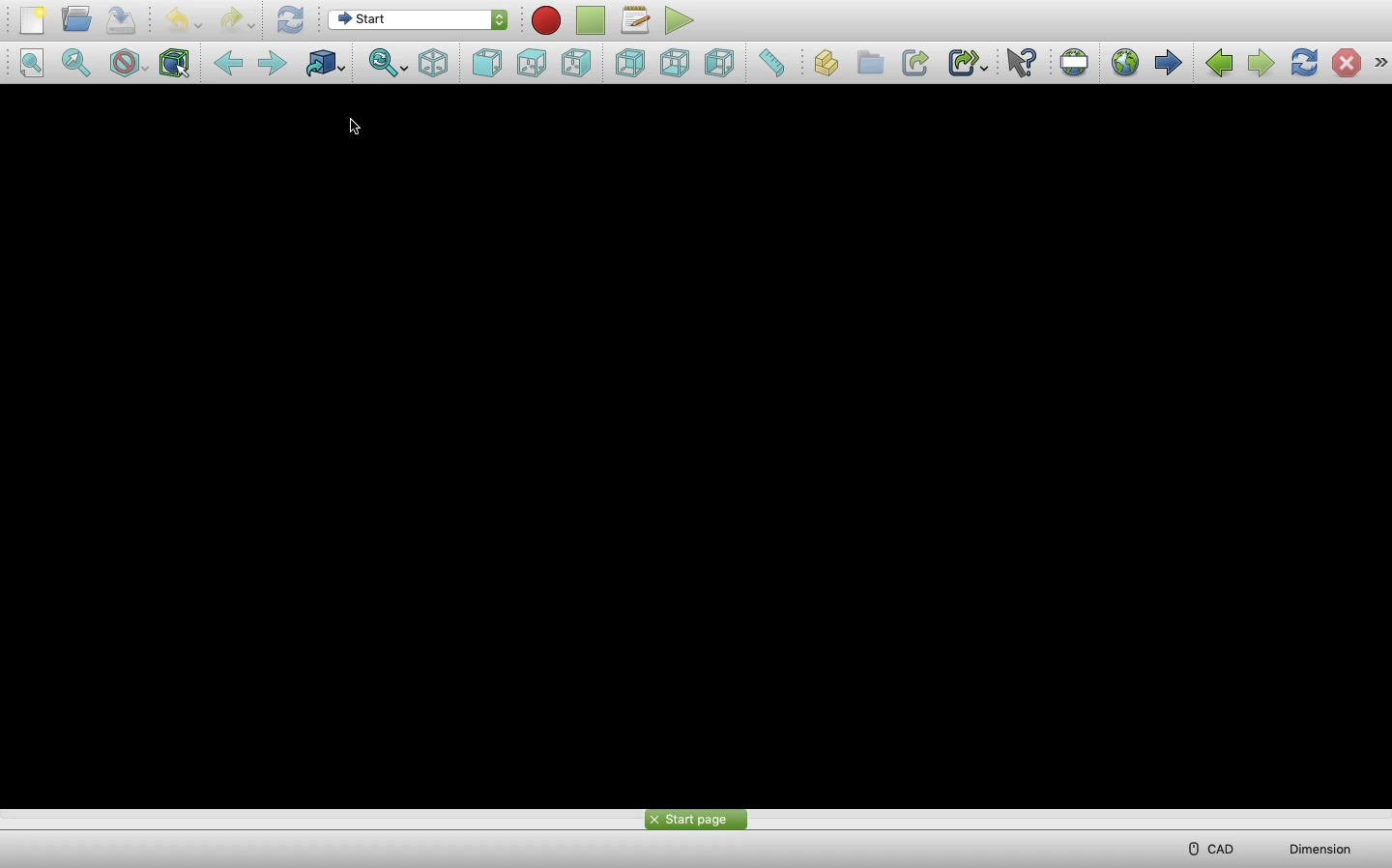 This screenshot has width=1392, height=868. I want to click on What's this, so click(1021, 64).